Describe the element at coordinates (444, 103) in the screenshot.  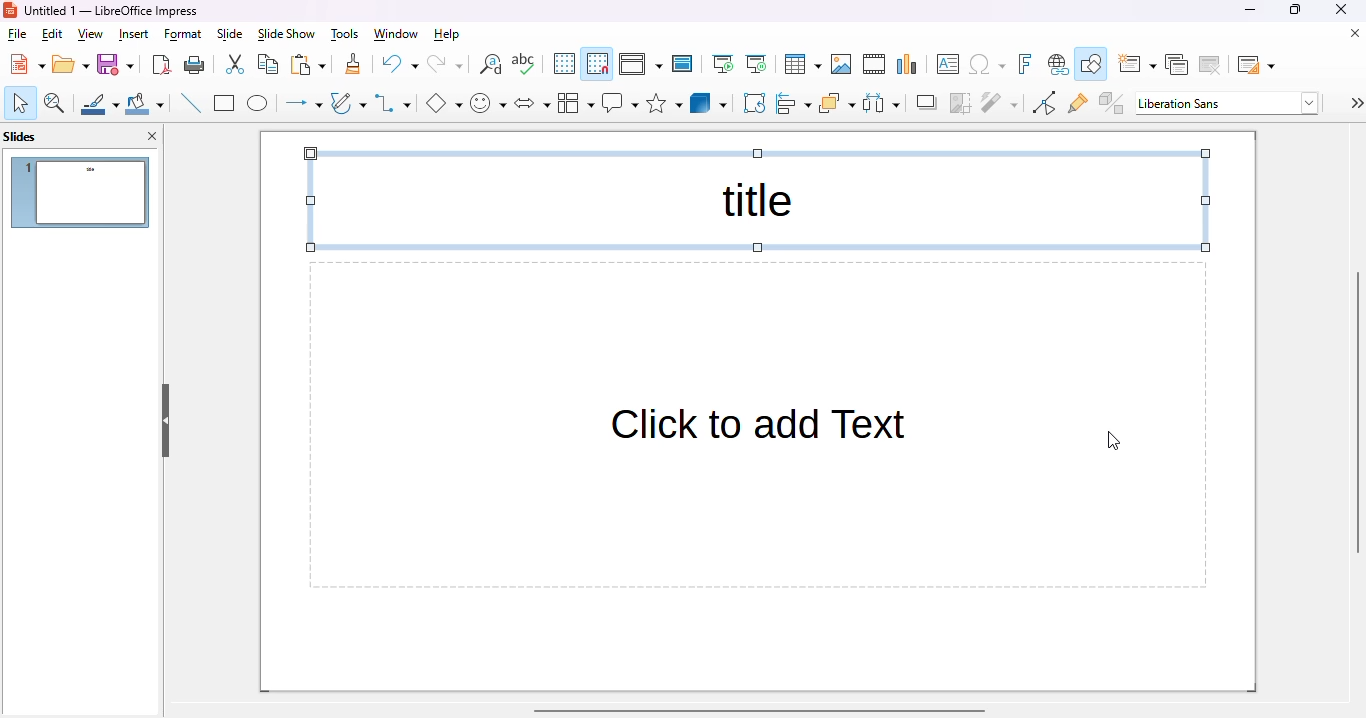
I see `basic shapes` at that location.